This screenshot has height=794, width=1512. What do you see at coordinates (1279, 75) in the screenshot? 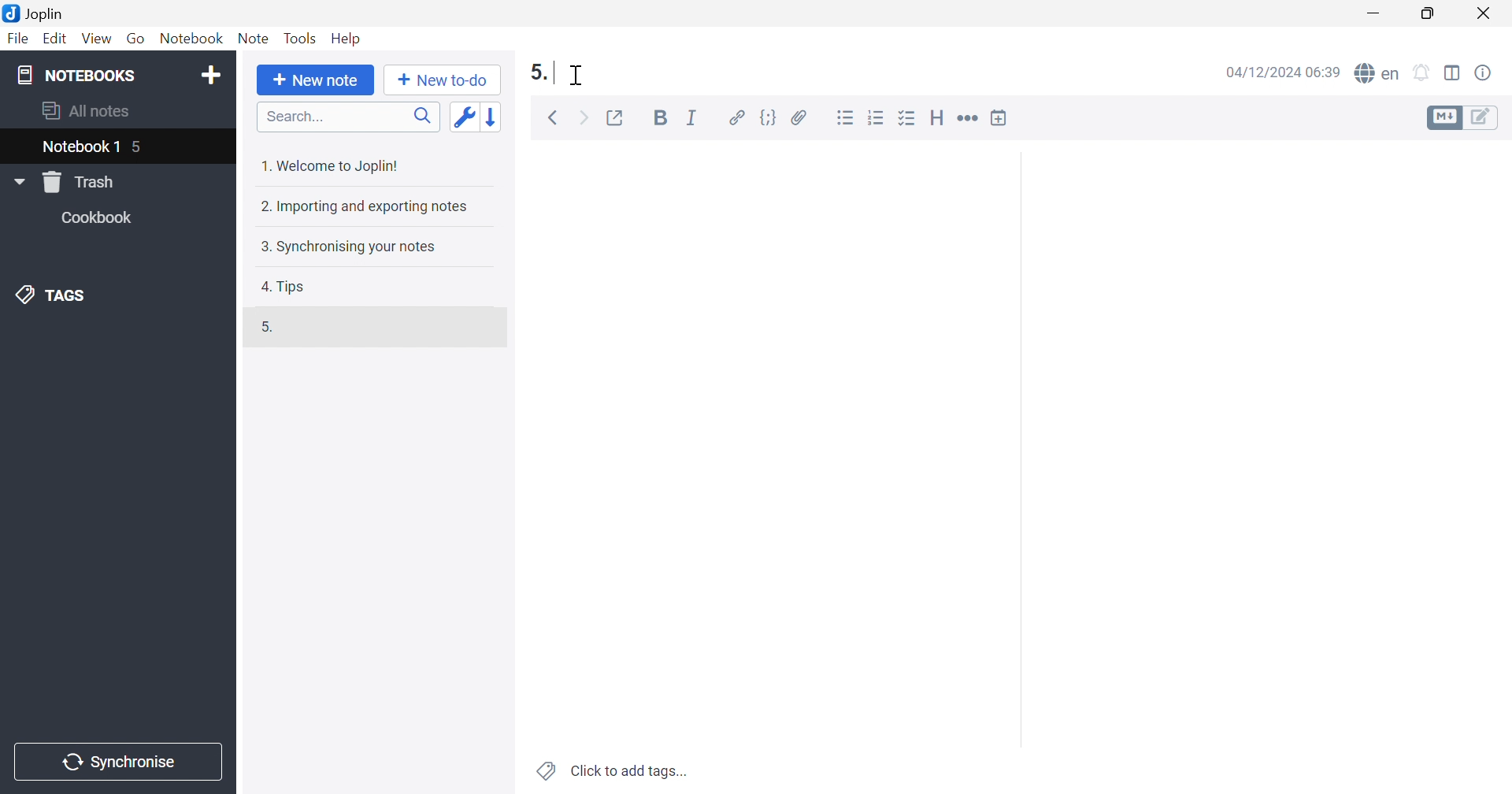
I see `04/12/2024 06:39` at bounding box center [1279, 75].